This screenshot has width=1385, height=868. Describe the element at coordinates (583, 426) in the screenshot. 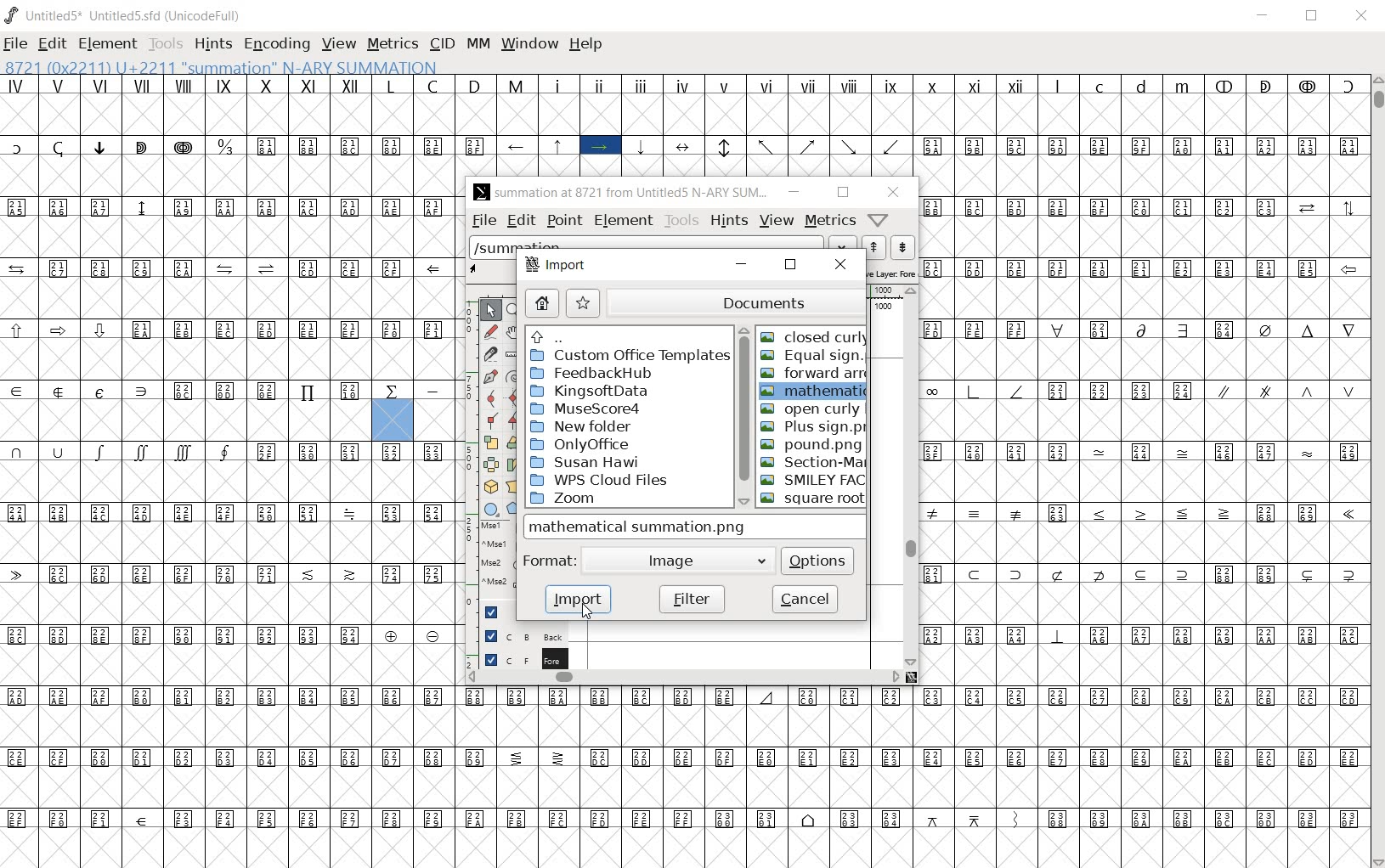

I see `New Folder` at that location.